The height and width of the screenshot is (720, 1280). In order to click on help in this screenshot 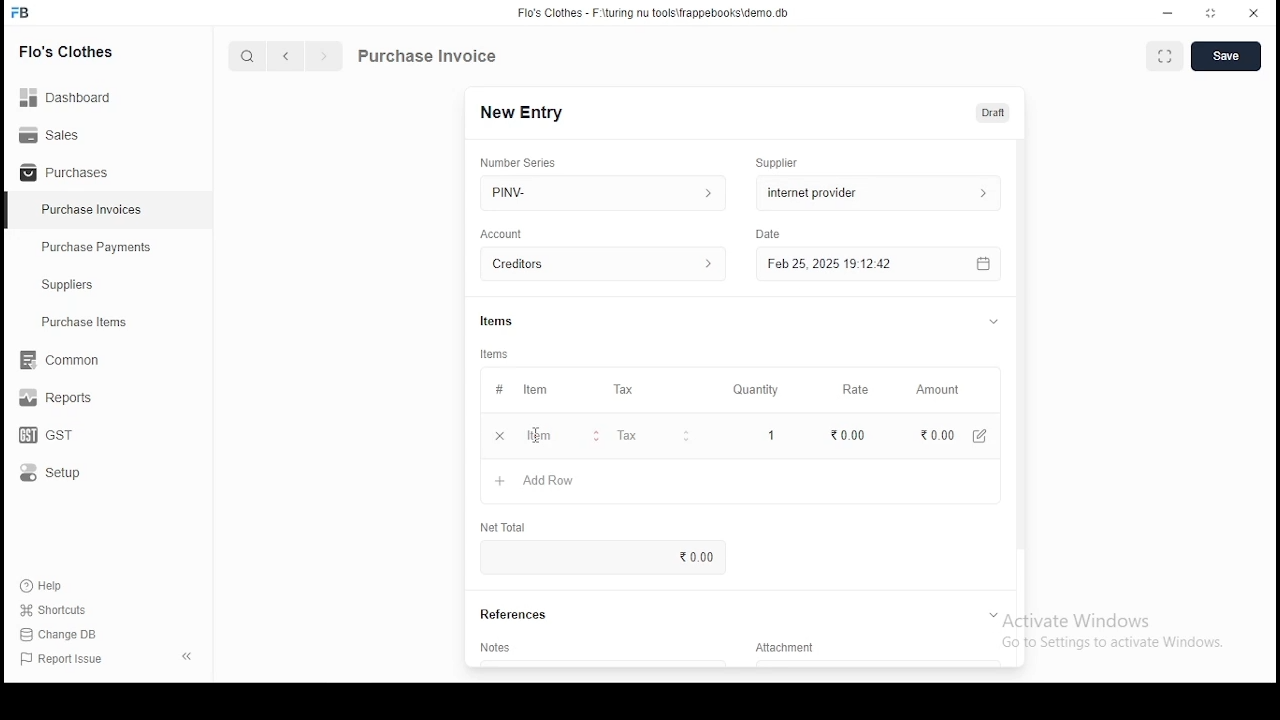, I will do `click(46, 583)`.